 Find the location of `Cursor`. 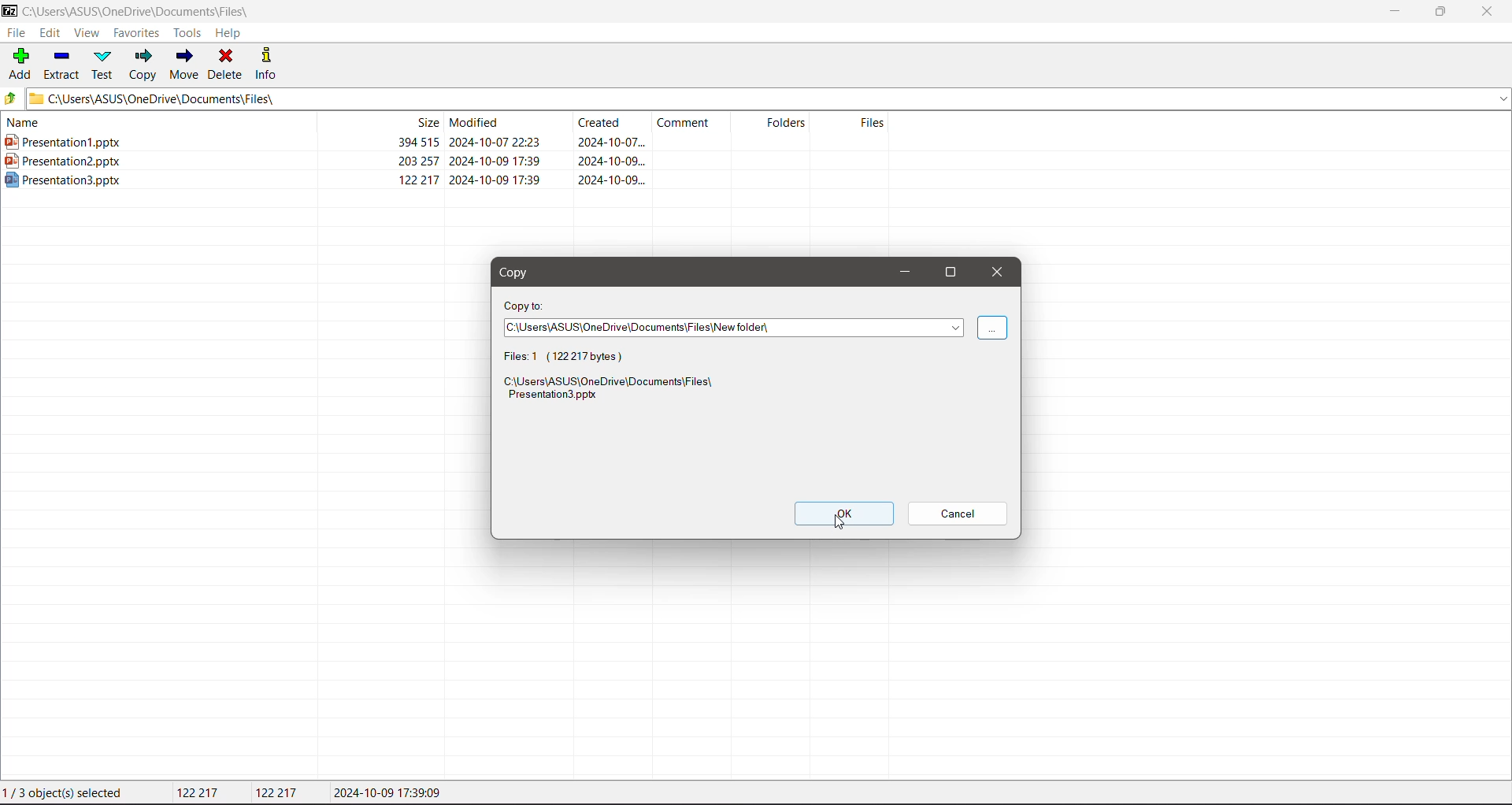

Cursor is located at coordinates (847, 523).